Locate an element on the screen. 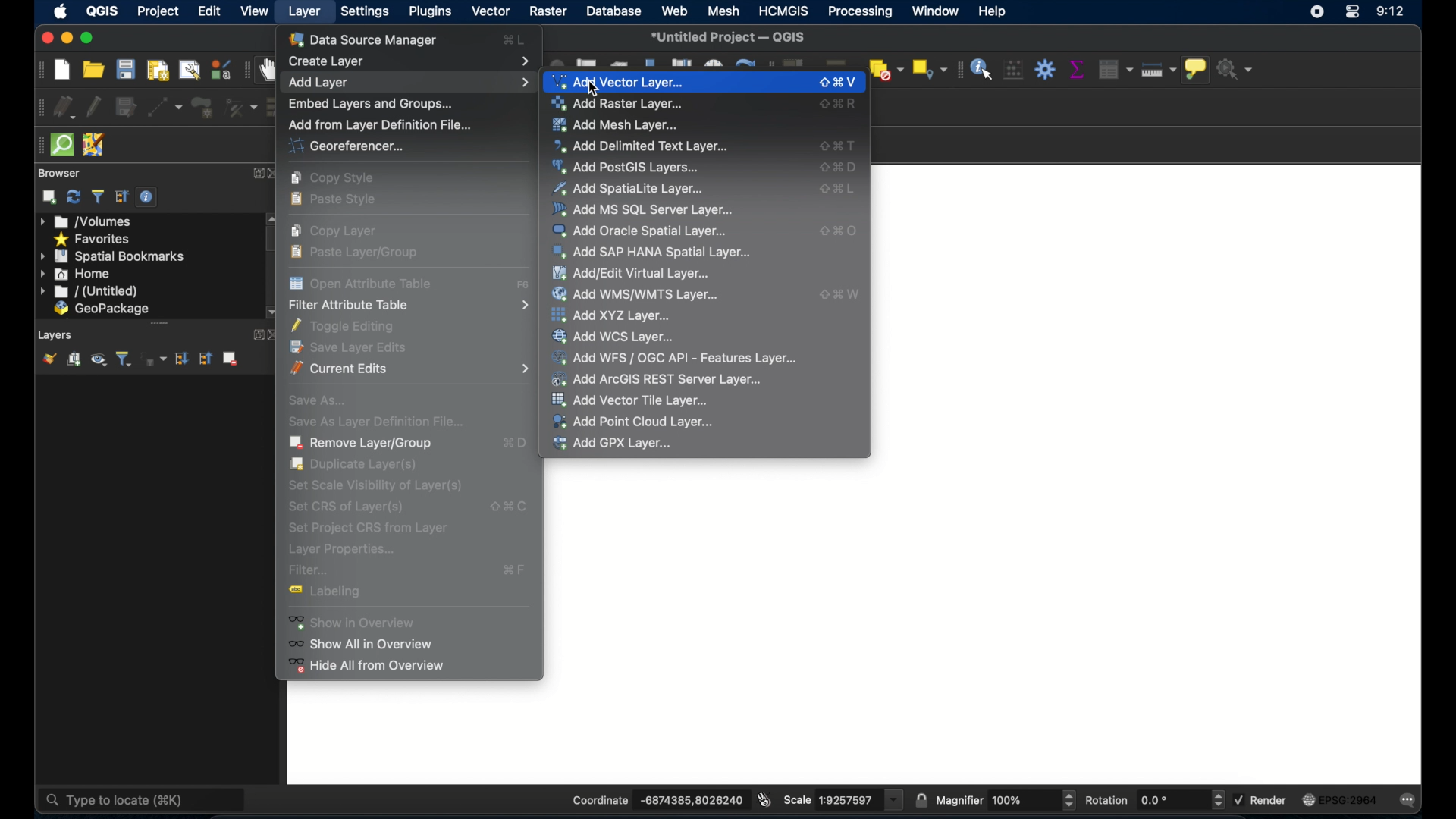 This screenshot has height=819, width=1456. digitize with segment is located at coordinates (166, 106).